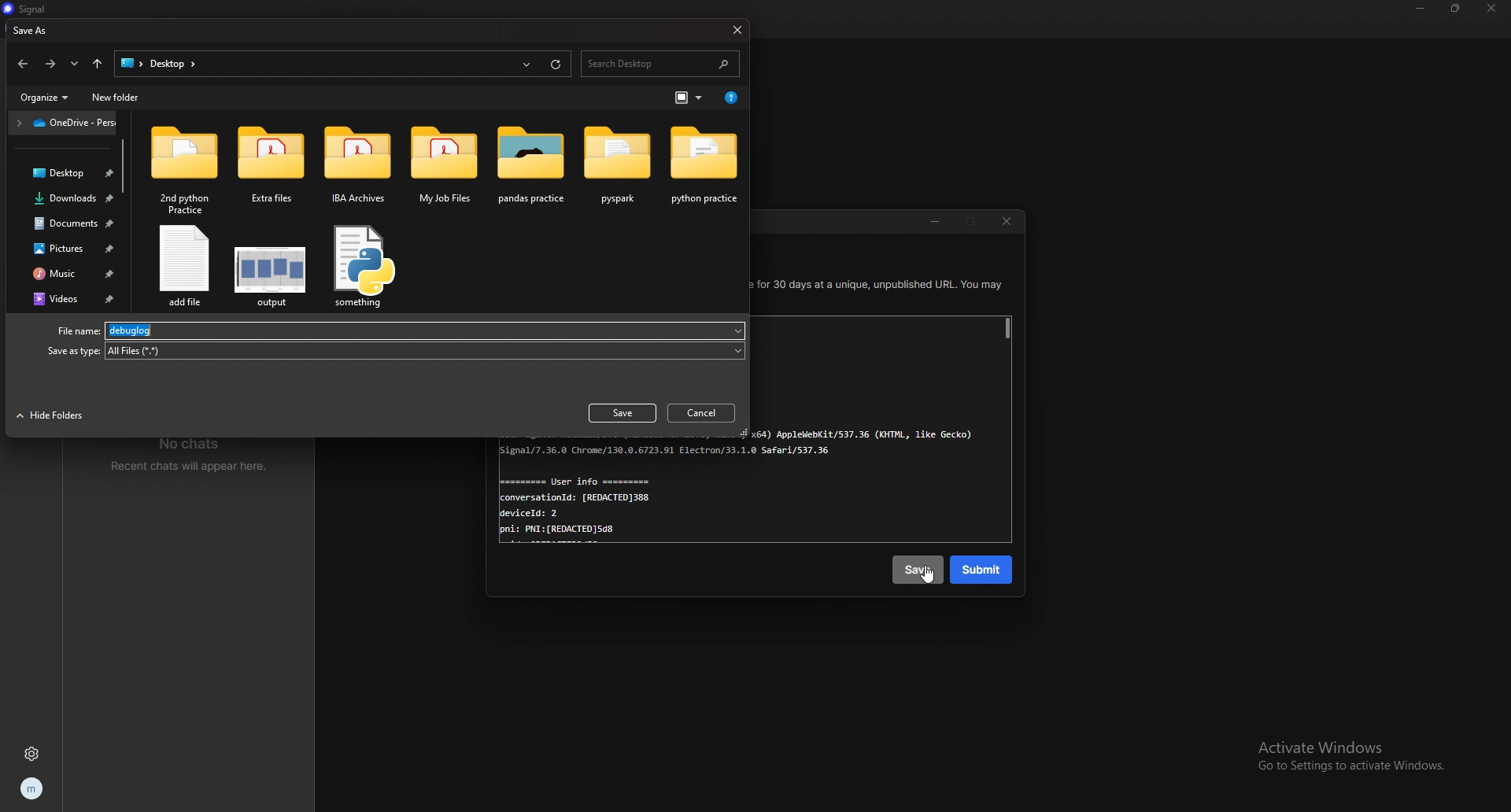  I want to click on no chats recent chats will appear here, so click(194, 456).